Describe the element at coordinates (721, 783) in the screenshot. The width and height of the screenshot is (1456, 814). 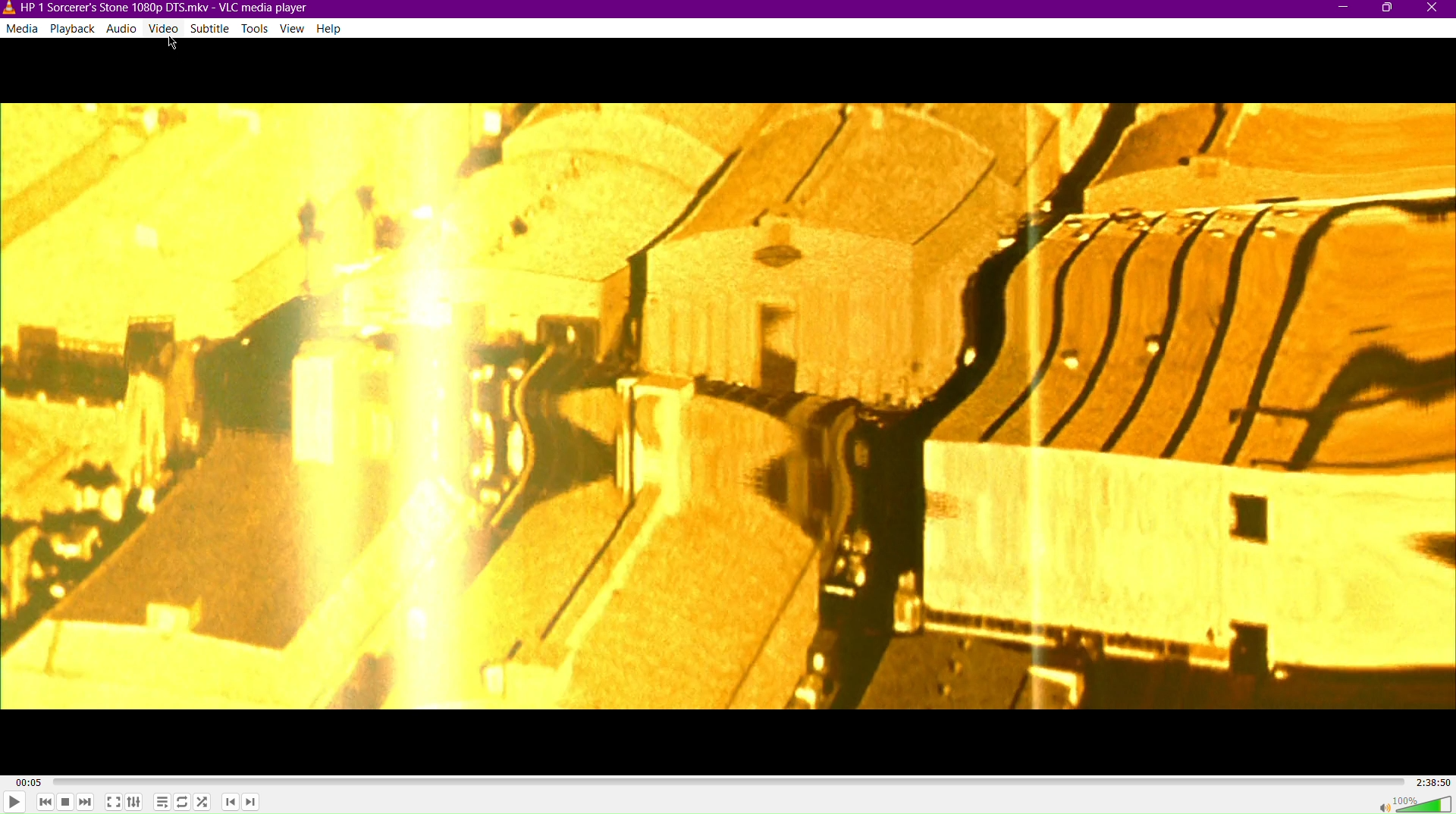
I see `Timeline` at that location.